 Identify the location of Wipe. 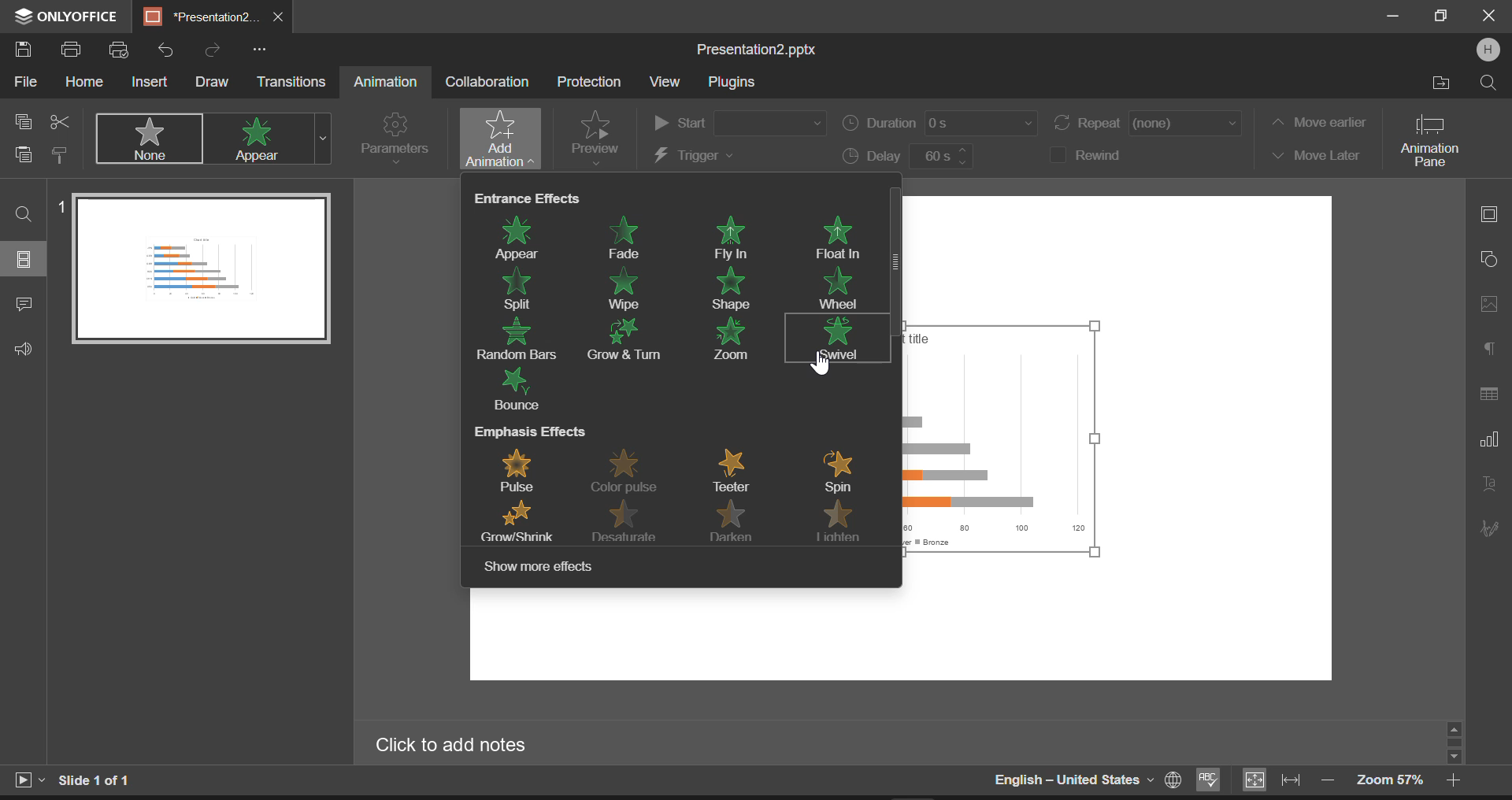
(624, 287).